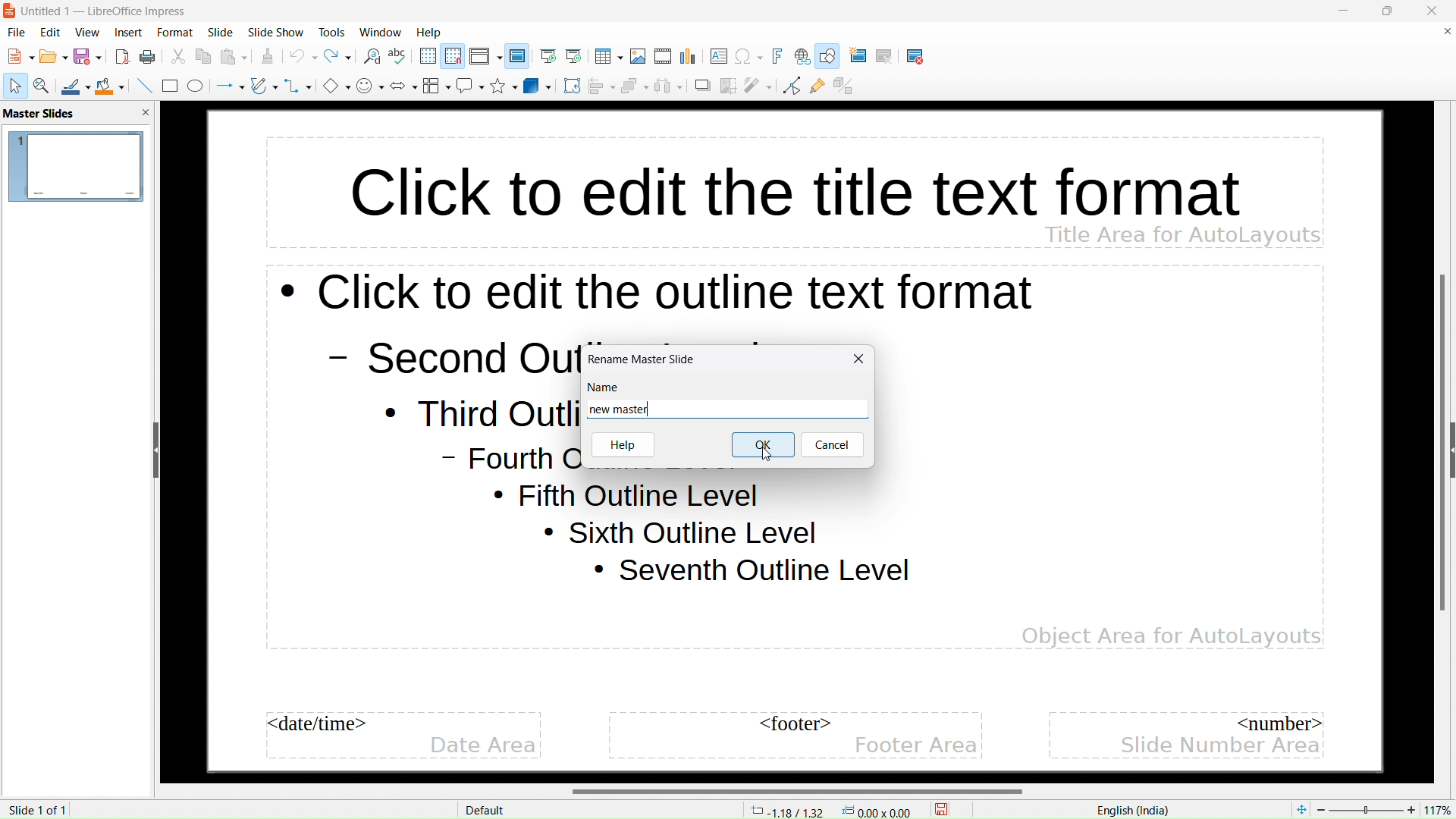 The image size is (1456, 819). Describe the element at coordinates (1411, 808) in the screenshot. I see `zoom in` at that location.